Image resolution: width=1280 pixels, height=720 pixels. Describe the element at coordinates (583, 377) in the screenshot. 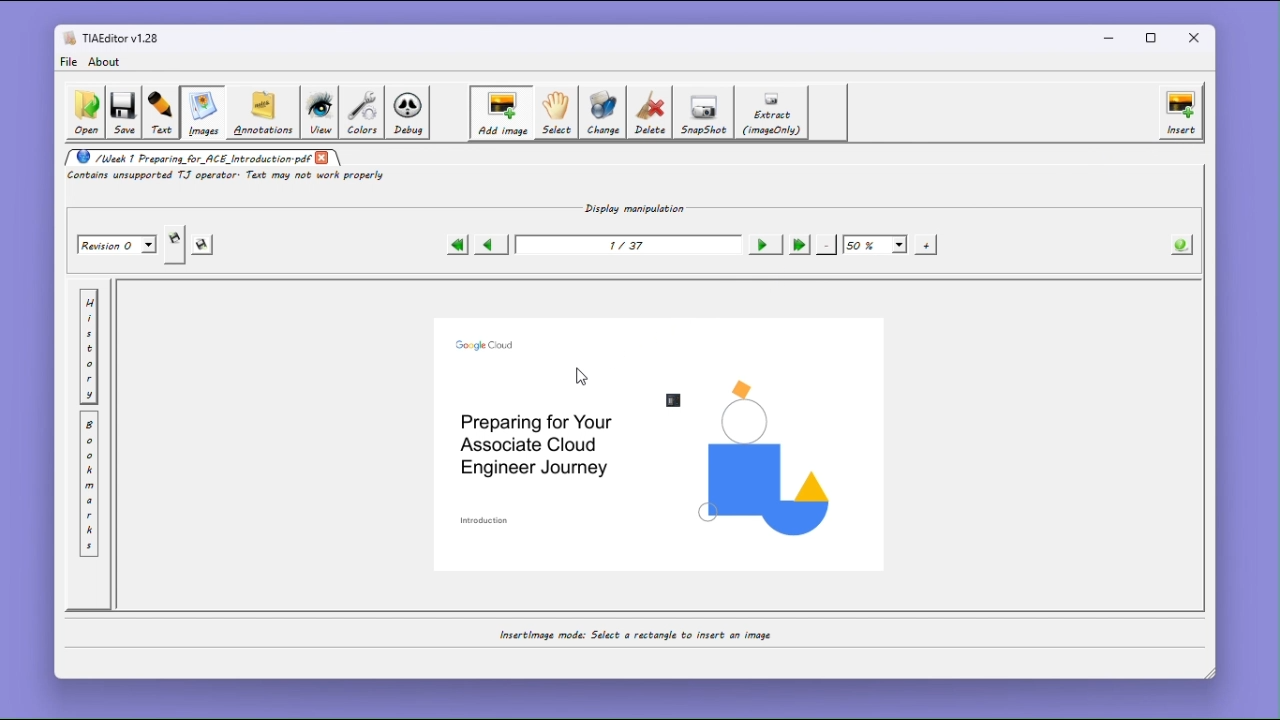

I see `cursor` at that location.